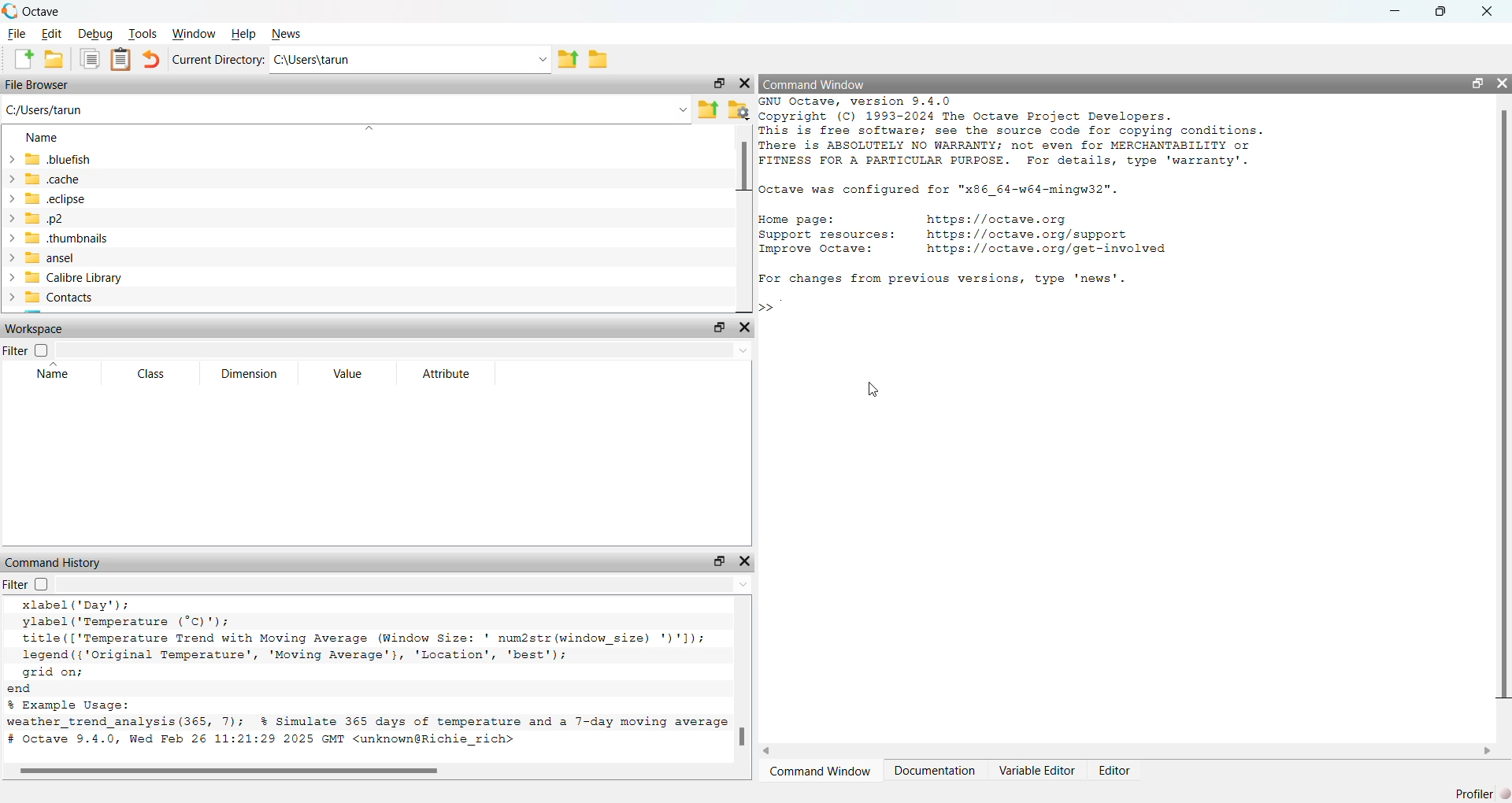 This screenshot has height=803, width=1512. I want to click on ~ansel, so click(47, 257).